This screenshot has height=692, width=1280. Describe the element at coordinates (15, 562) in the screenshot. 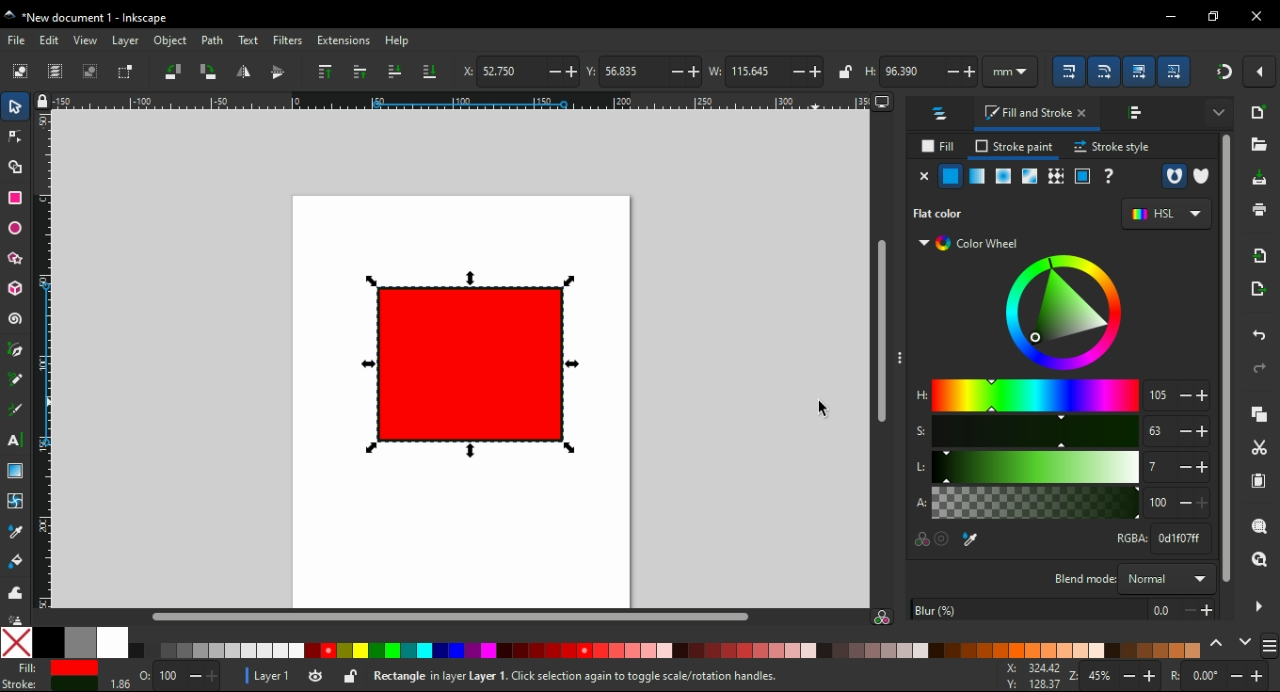

I see `paint bucket tool` at that location.